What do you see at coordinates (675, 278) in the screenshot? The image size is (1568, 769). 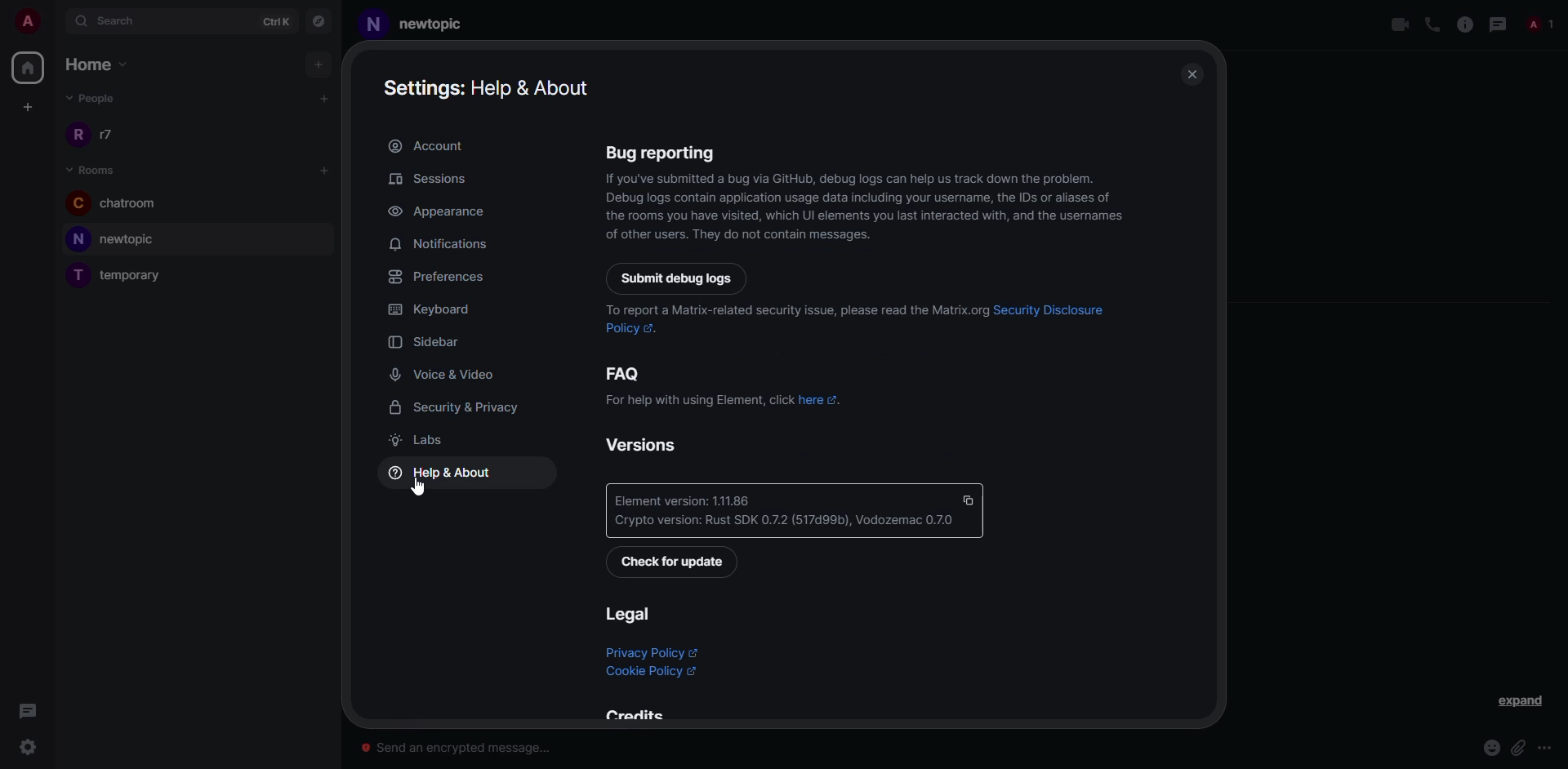 I see `submit debug logs` at bounding box center [675, 278].